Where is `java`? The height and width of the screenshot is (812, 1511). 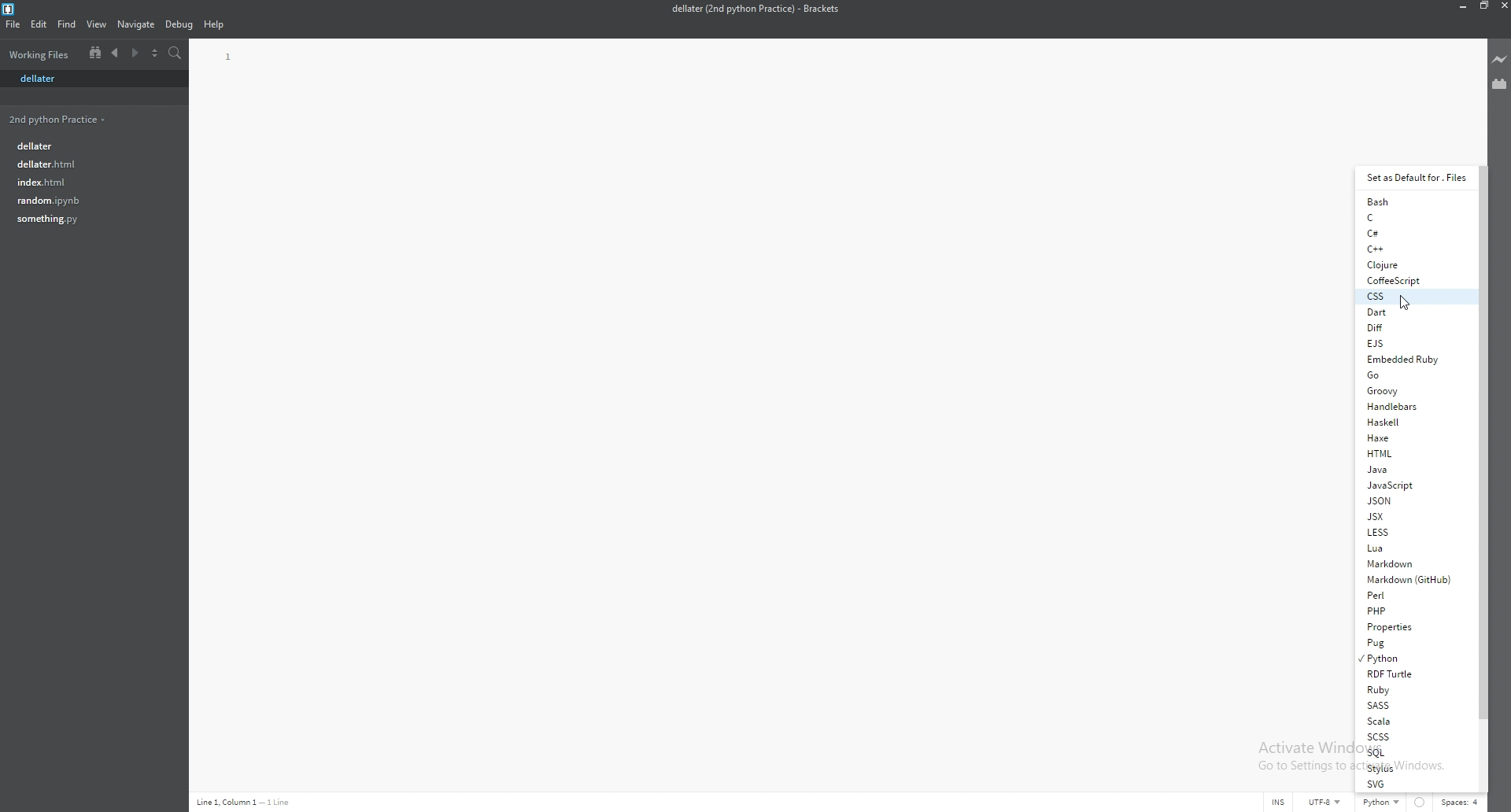 java is located at coordinates (1413, 469).